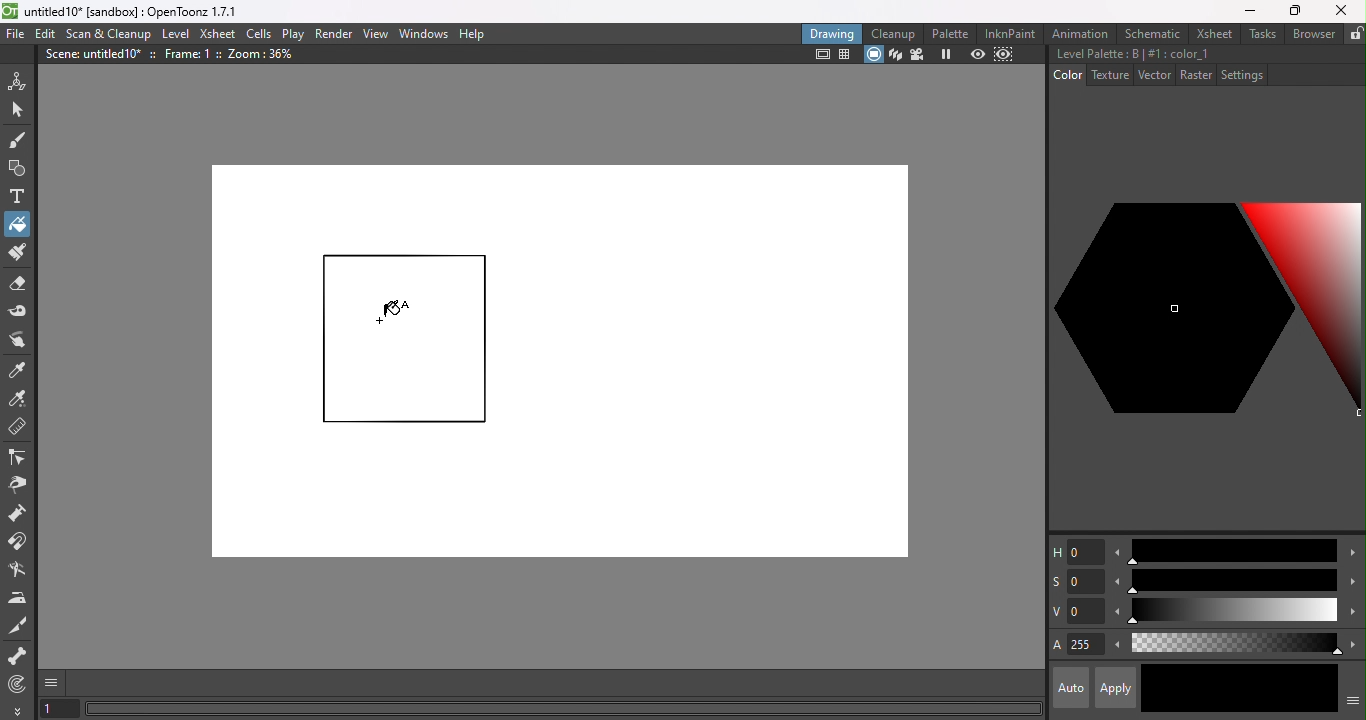  Describe the element at coordinates (952, 34) in the screenshot. I see `Palette` at that location.